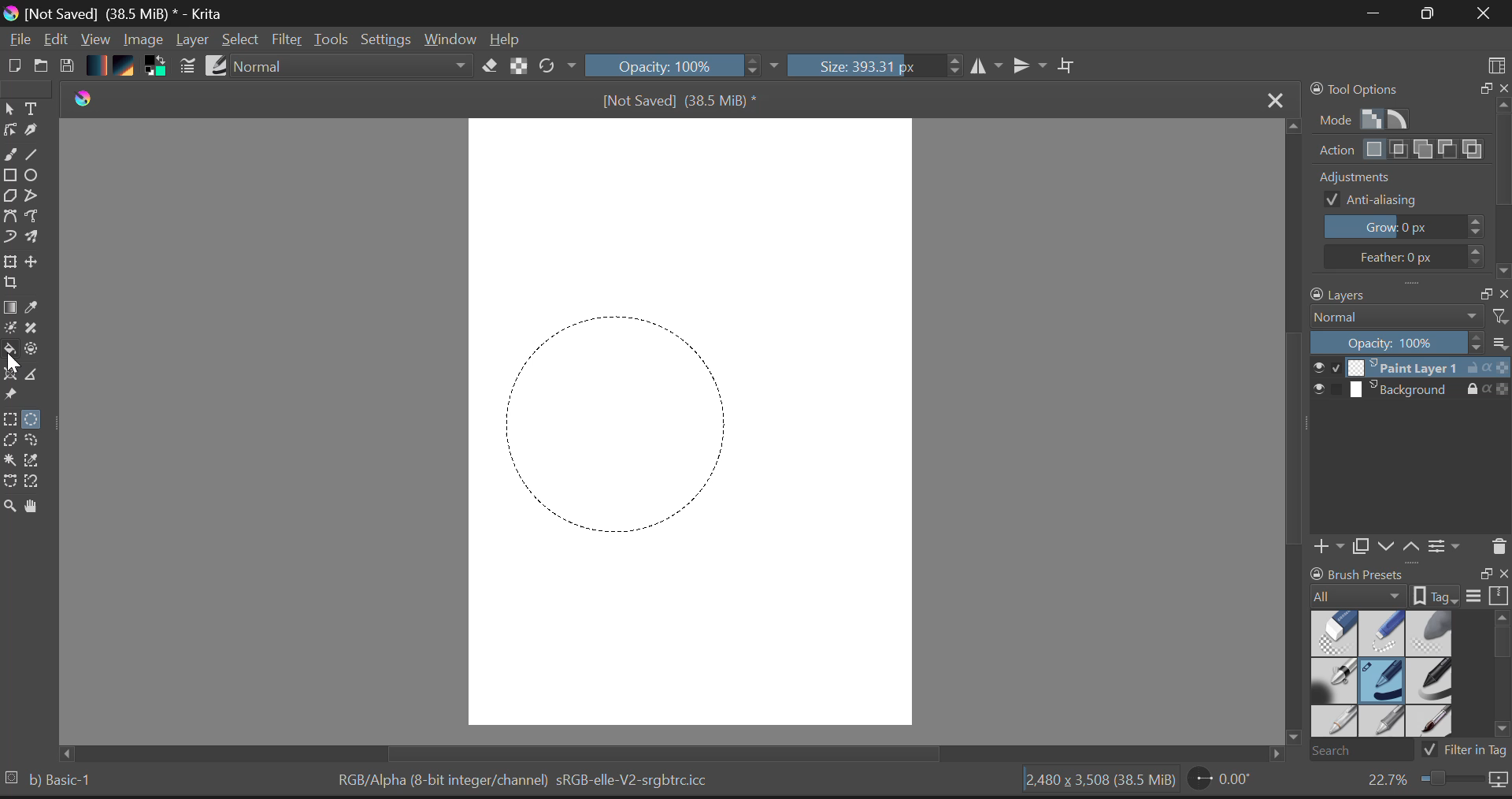  Describe the element at coordinates (13, 262) in the screenshot. I see `Transform Layers` at that location.